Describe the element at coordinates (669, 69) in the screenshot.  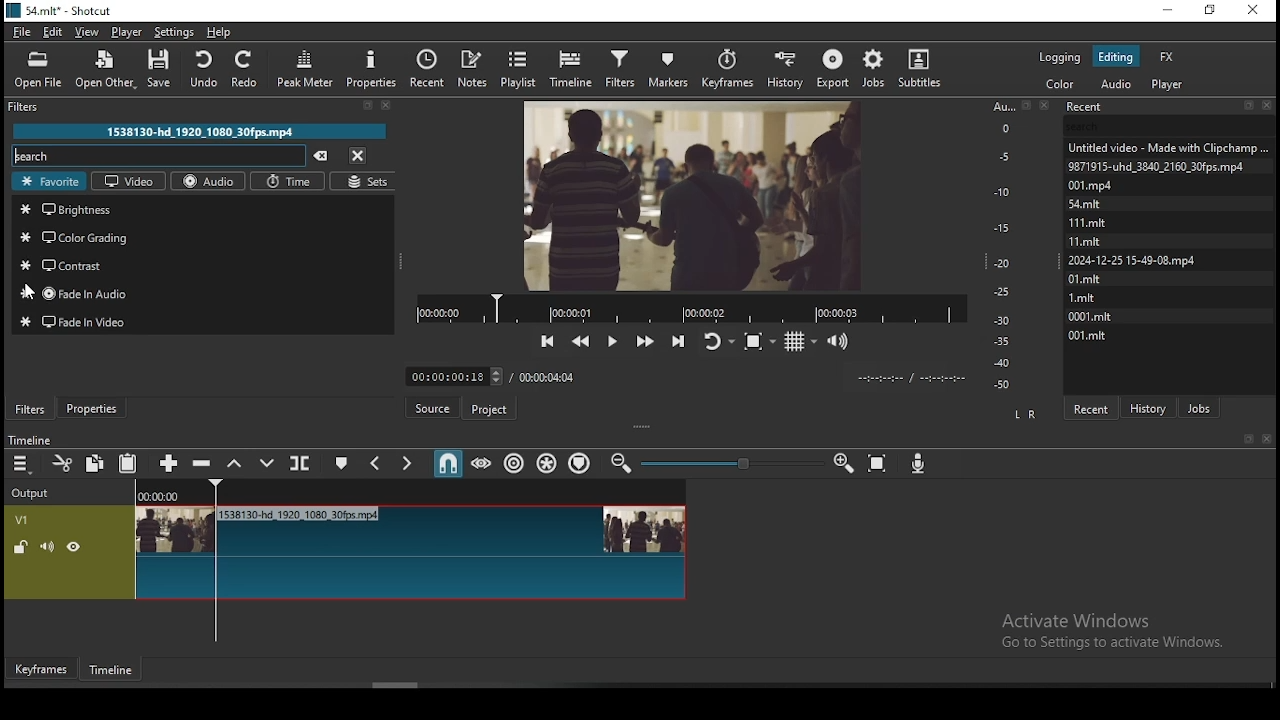
I see `markers` at that location.